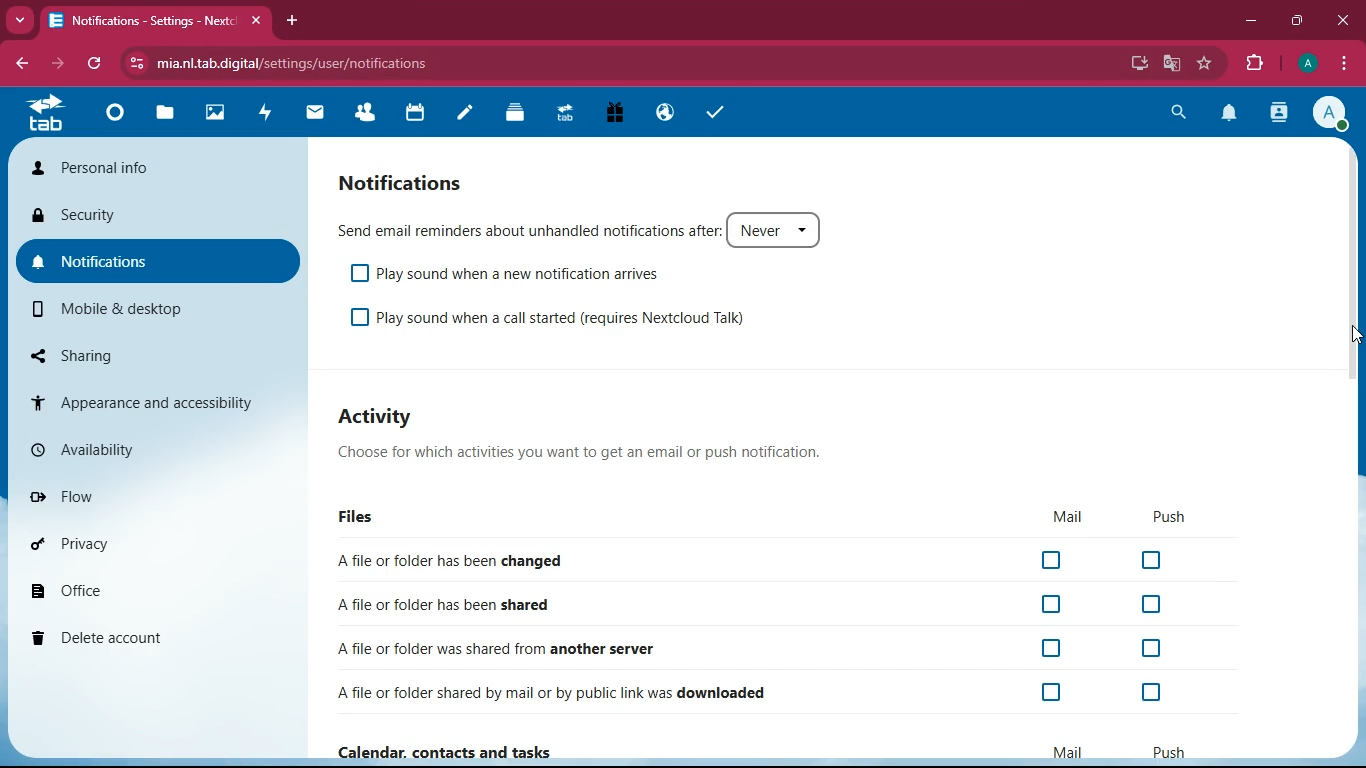 The height and width of the screenshot is (768, 1366). What do you see at coordinates (94, 64) in the screenshot?
I see `refresh` at bounding box center [94, 64].